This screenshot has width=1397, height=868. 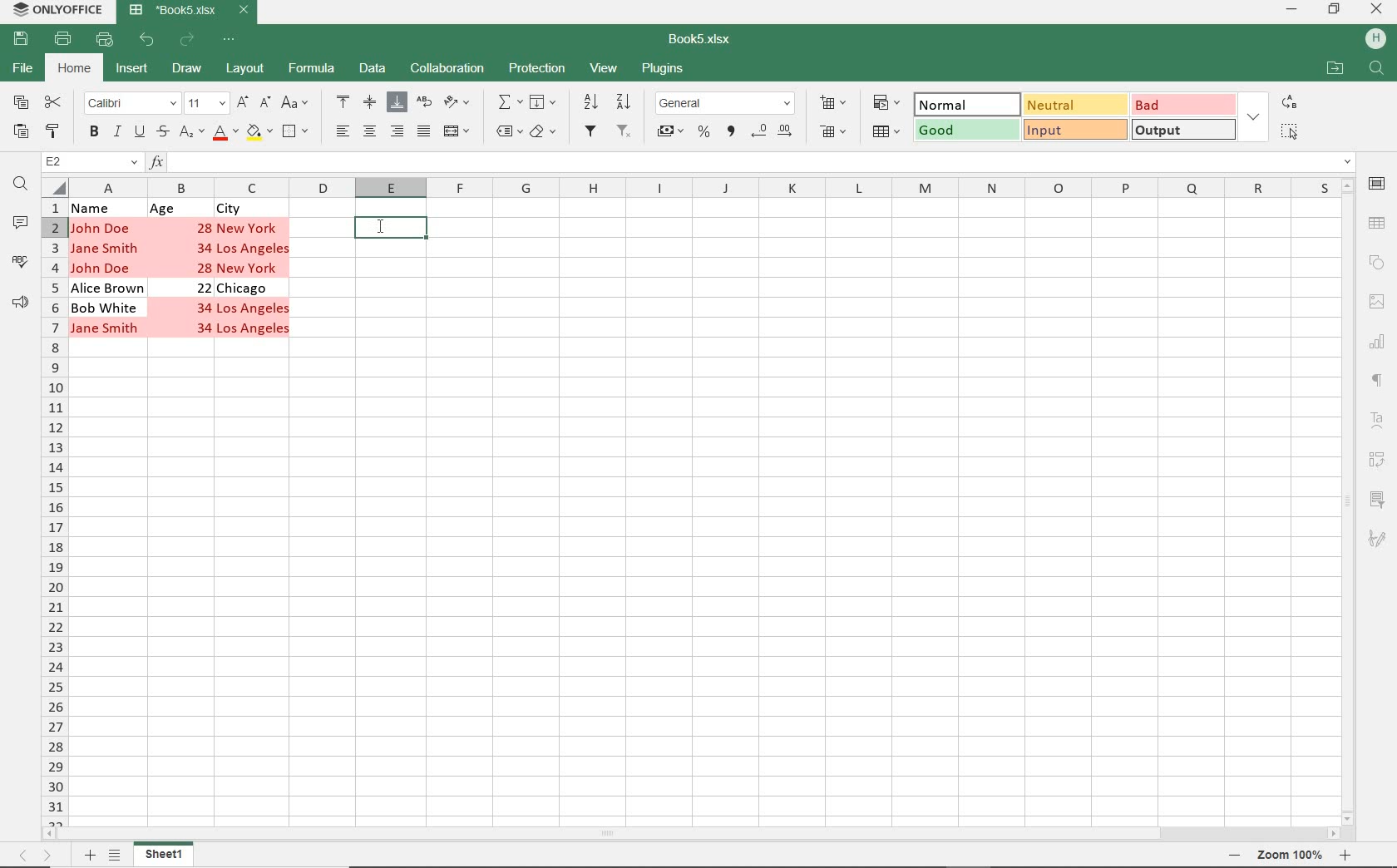 I want to click on Los Angeles, so click(x=254, y=309).